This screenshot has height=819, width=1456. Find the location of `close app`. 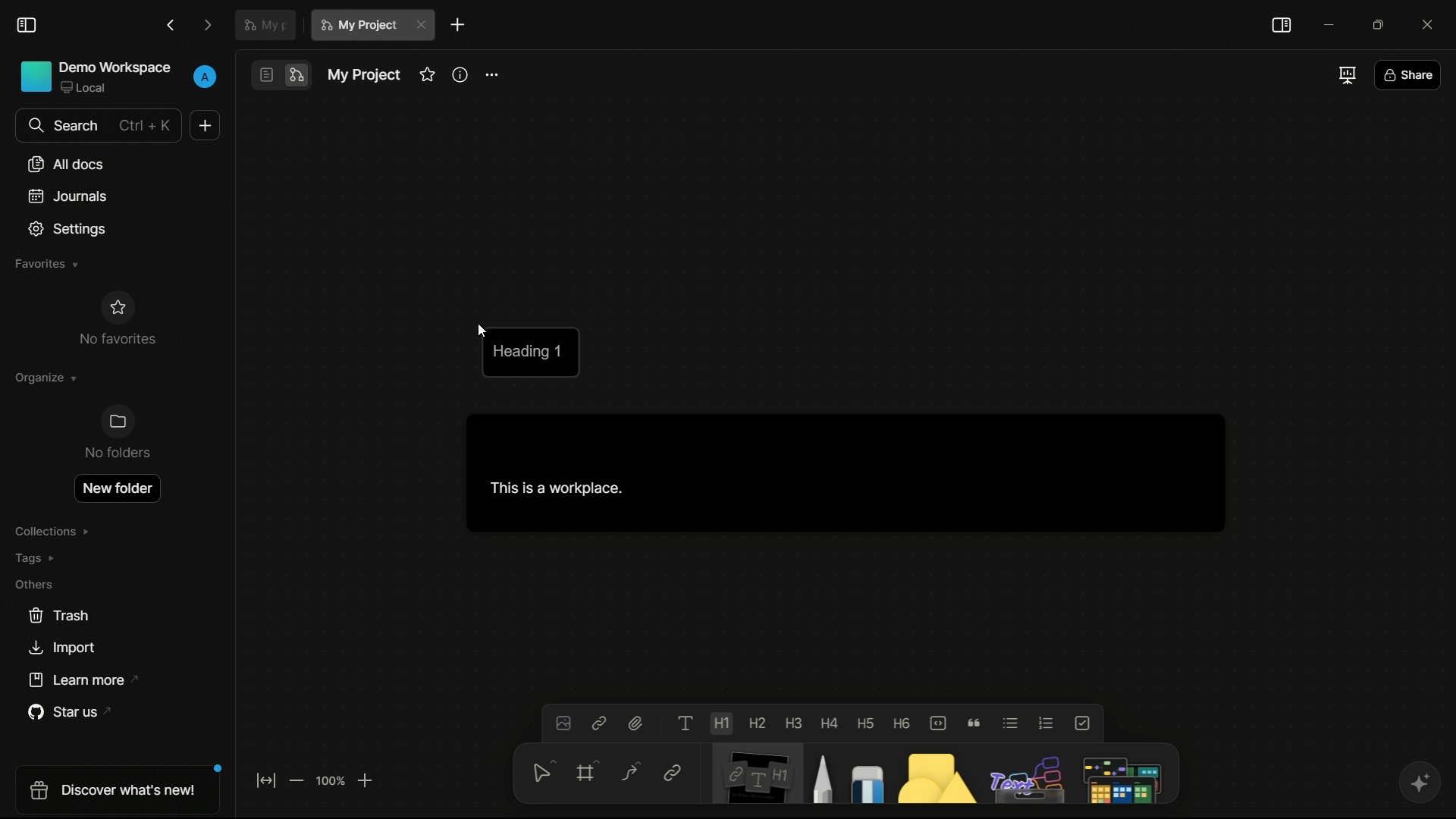

close app is located at coordinates (1432, 23).